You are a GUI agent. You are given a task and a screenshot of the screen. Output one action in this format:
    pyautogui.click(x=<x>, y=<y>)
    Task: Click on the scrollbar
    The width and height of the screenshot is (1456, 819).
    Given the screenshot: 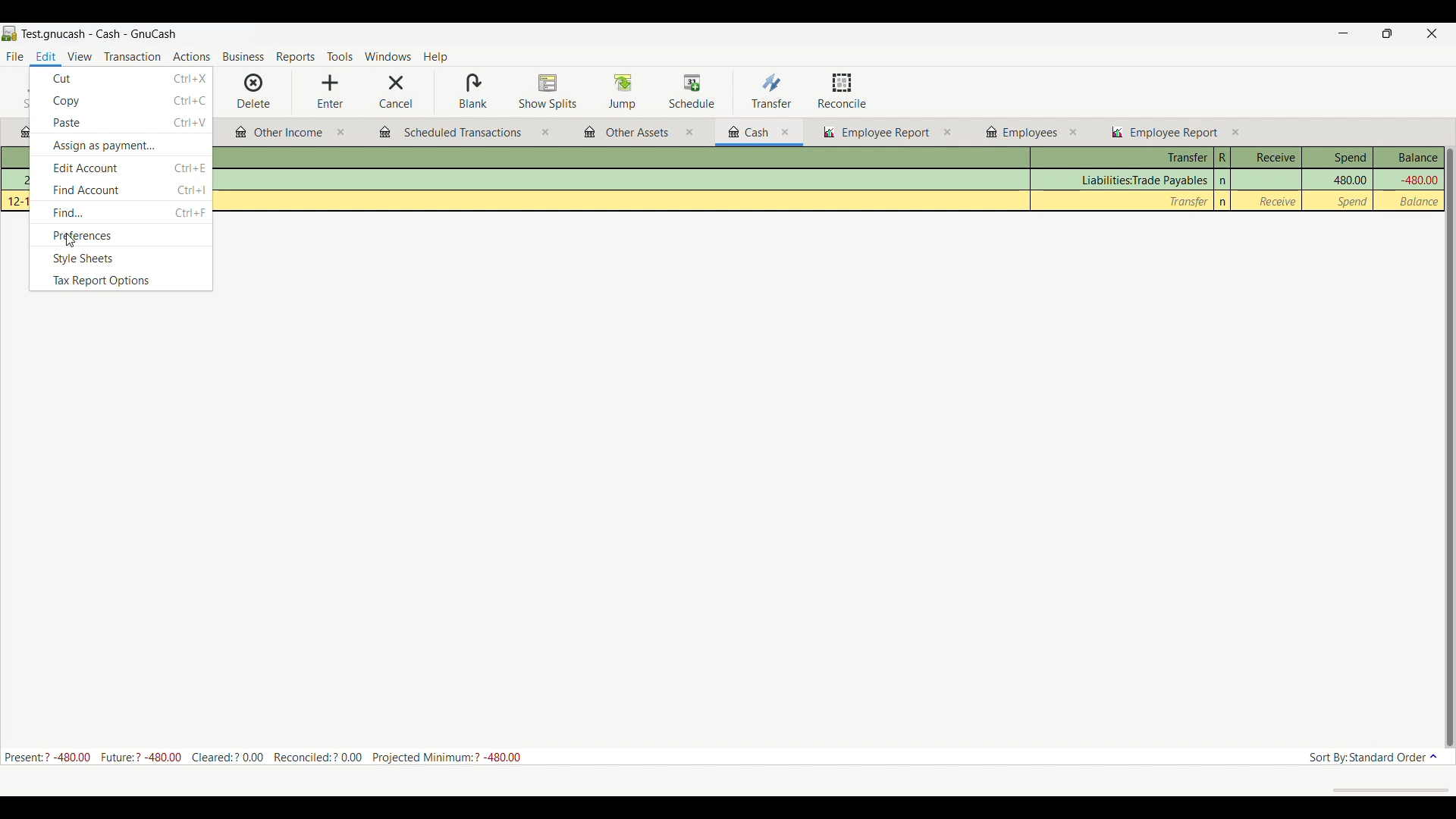 What is the action you would take?
    pyautogui.click(x=1449, y=448)
    